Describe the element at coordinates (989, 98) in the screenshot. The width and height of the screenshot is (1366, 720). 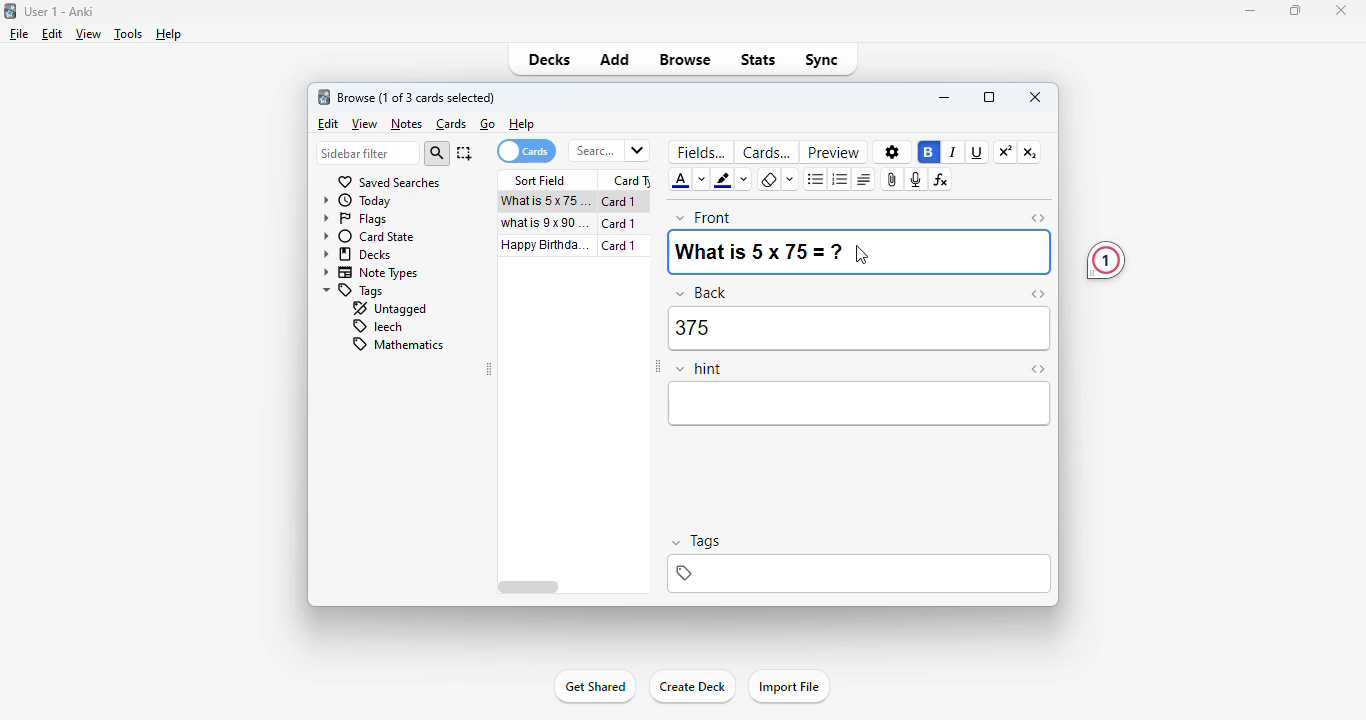
I see `maximize` at that location.